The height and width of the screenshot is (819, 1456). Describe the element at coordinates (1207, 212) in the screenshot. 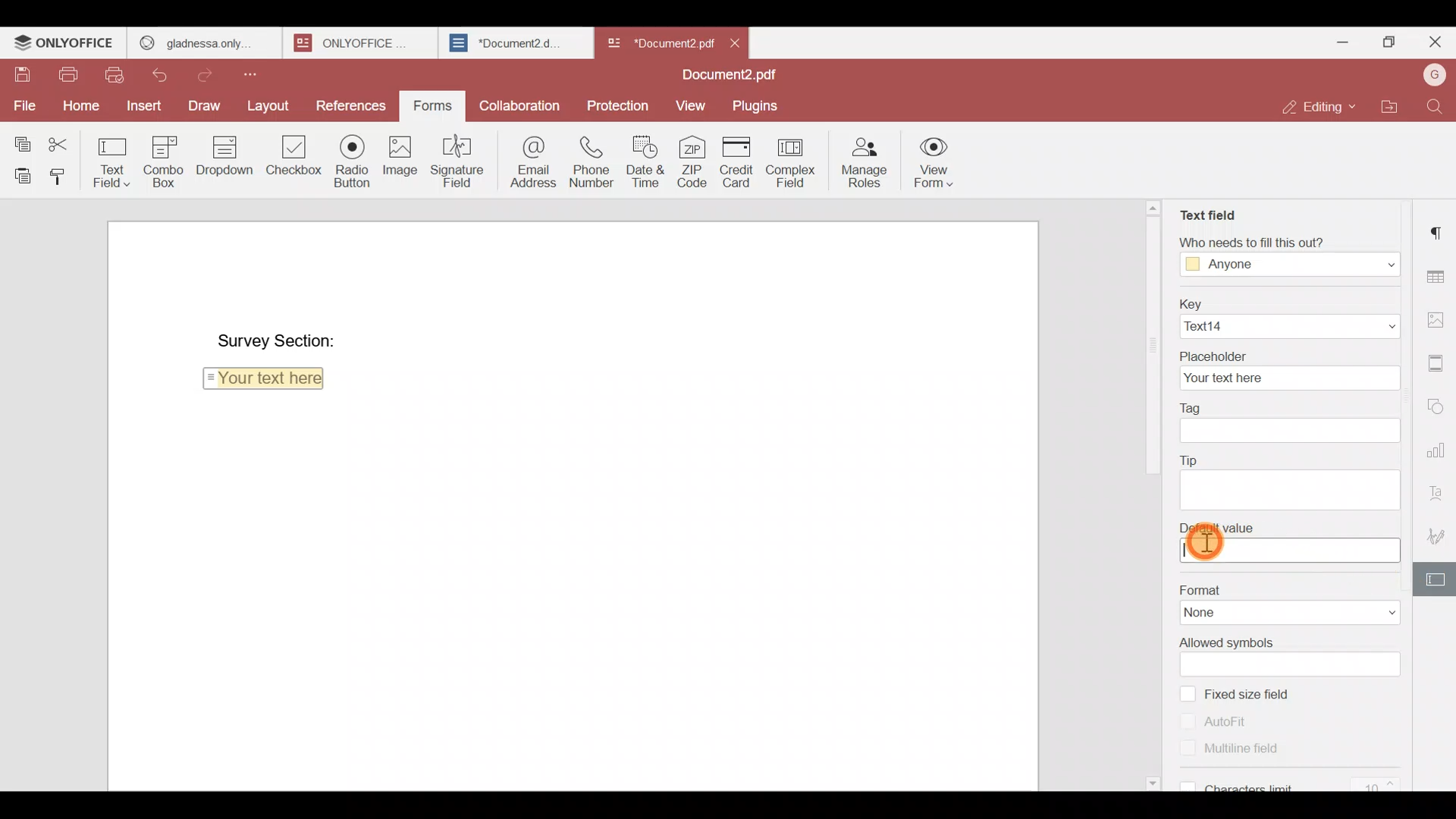

I see `Text field` at that location.